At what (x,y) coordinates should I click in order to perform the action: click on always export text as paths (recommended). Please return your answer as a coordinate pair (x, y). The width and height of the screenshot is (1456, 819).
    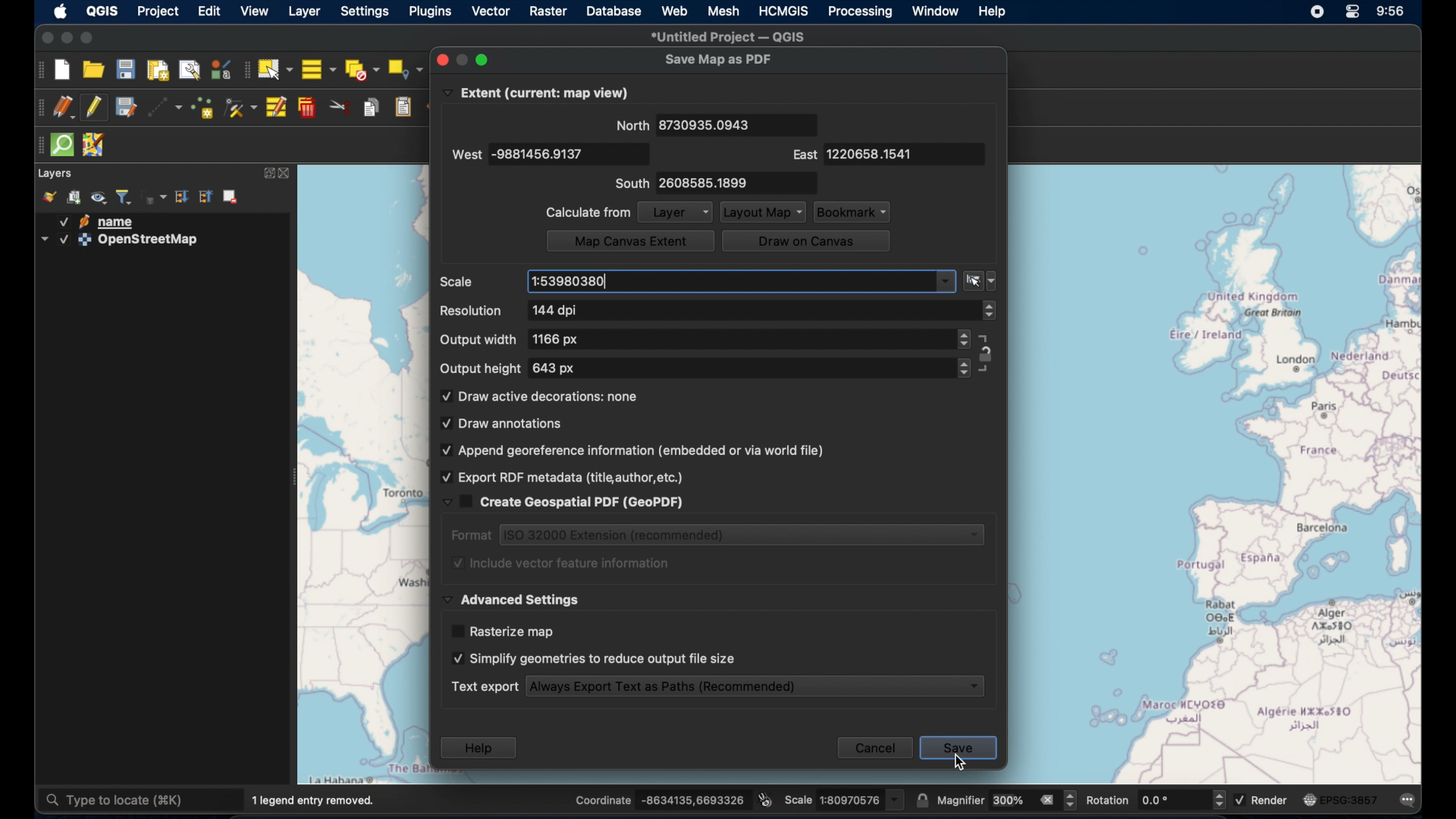
    Looking at the image, I should click on (756, 684).